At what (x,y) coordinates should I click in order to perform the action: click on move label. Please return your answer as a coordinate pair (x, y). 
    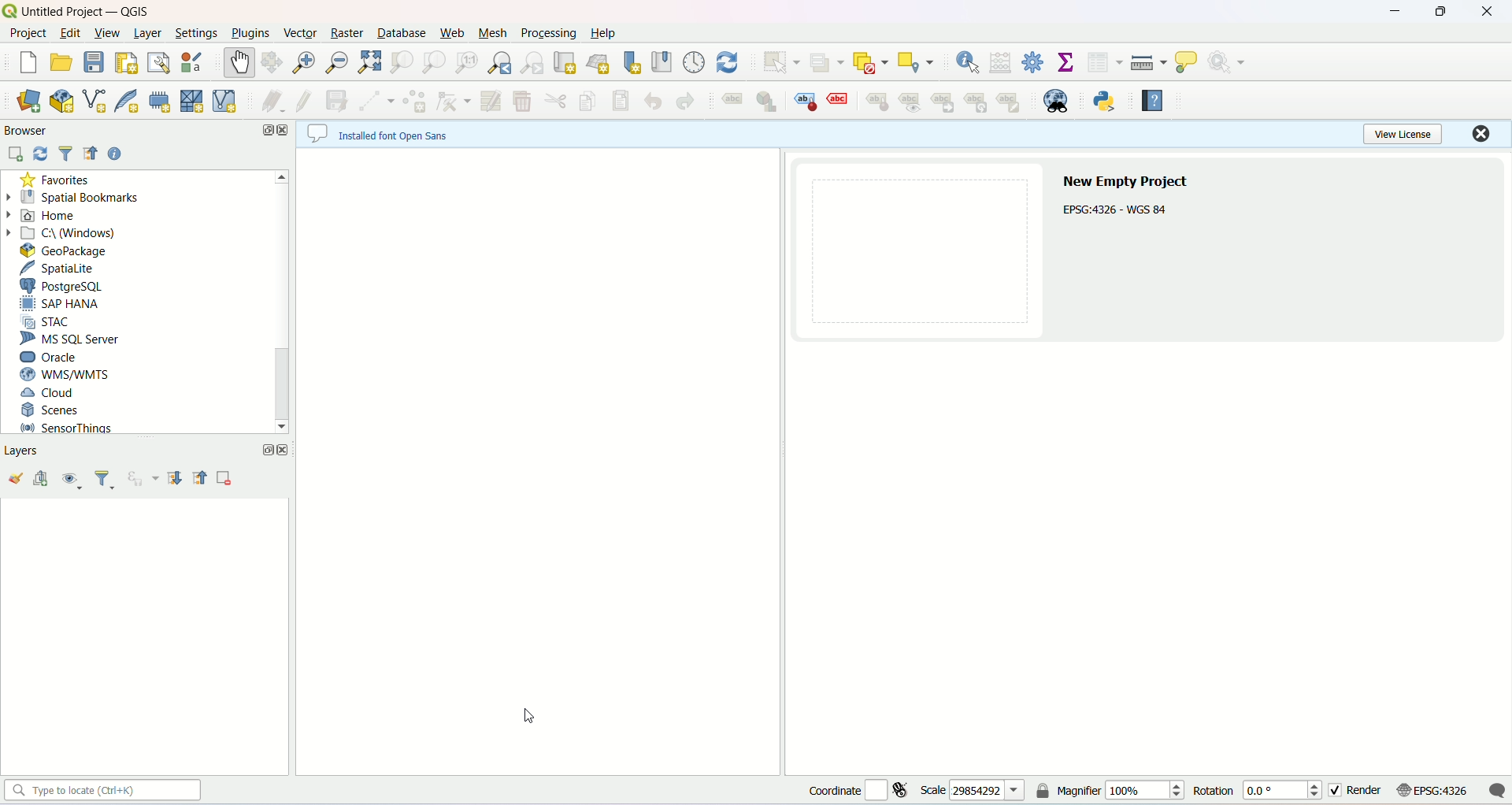
    Looking at the image, I should click on (946, 106).